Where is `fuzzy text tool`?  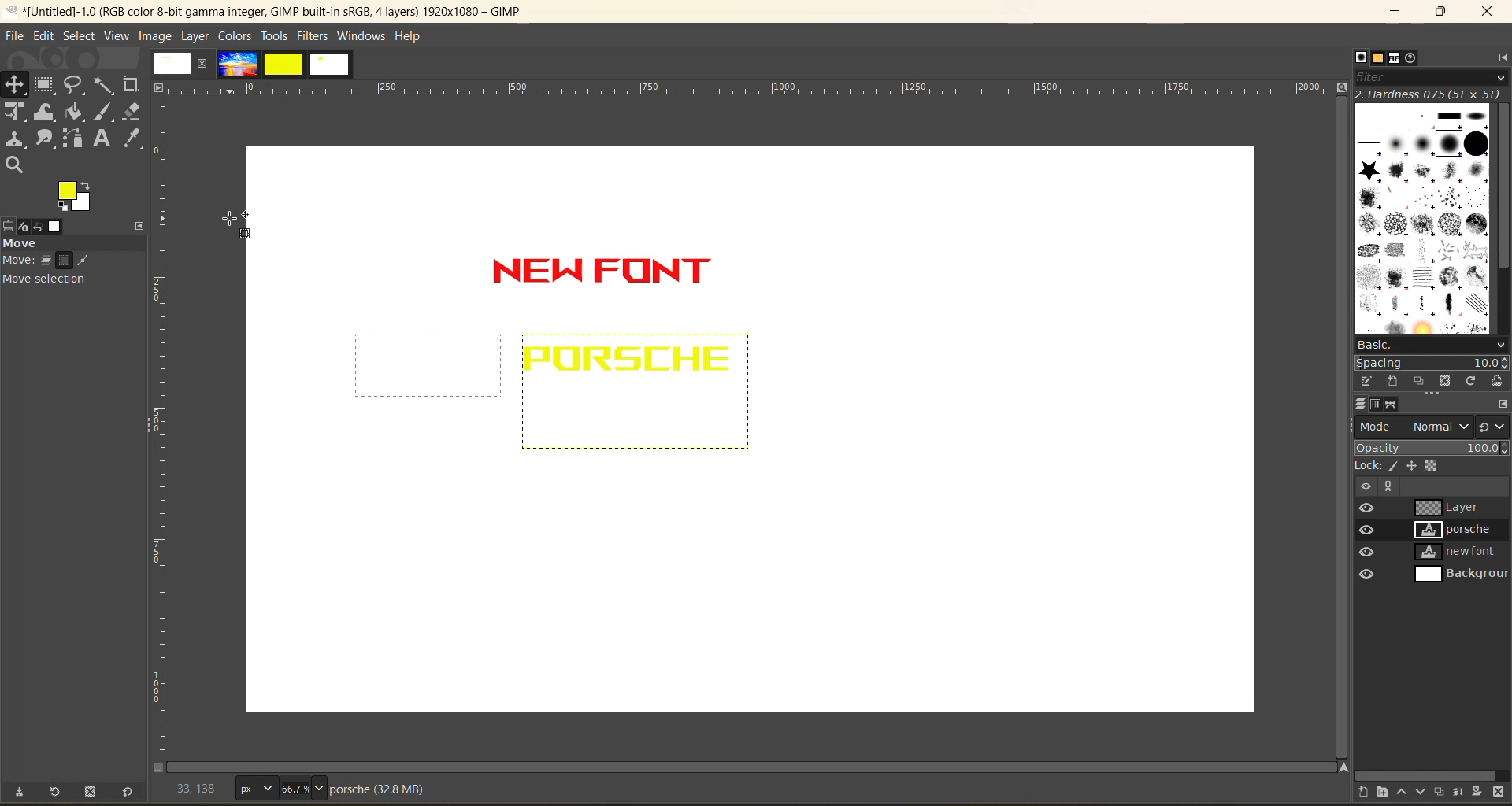
fuzzy text tool is located at coordinates (104, 85).